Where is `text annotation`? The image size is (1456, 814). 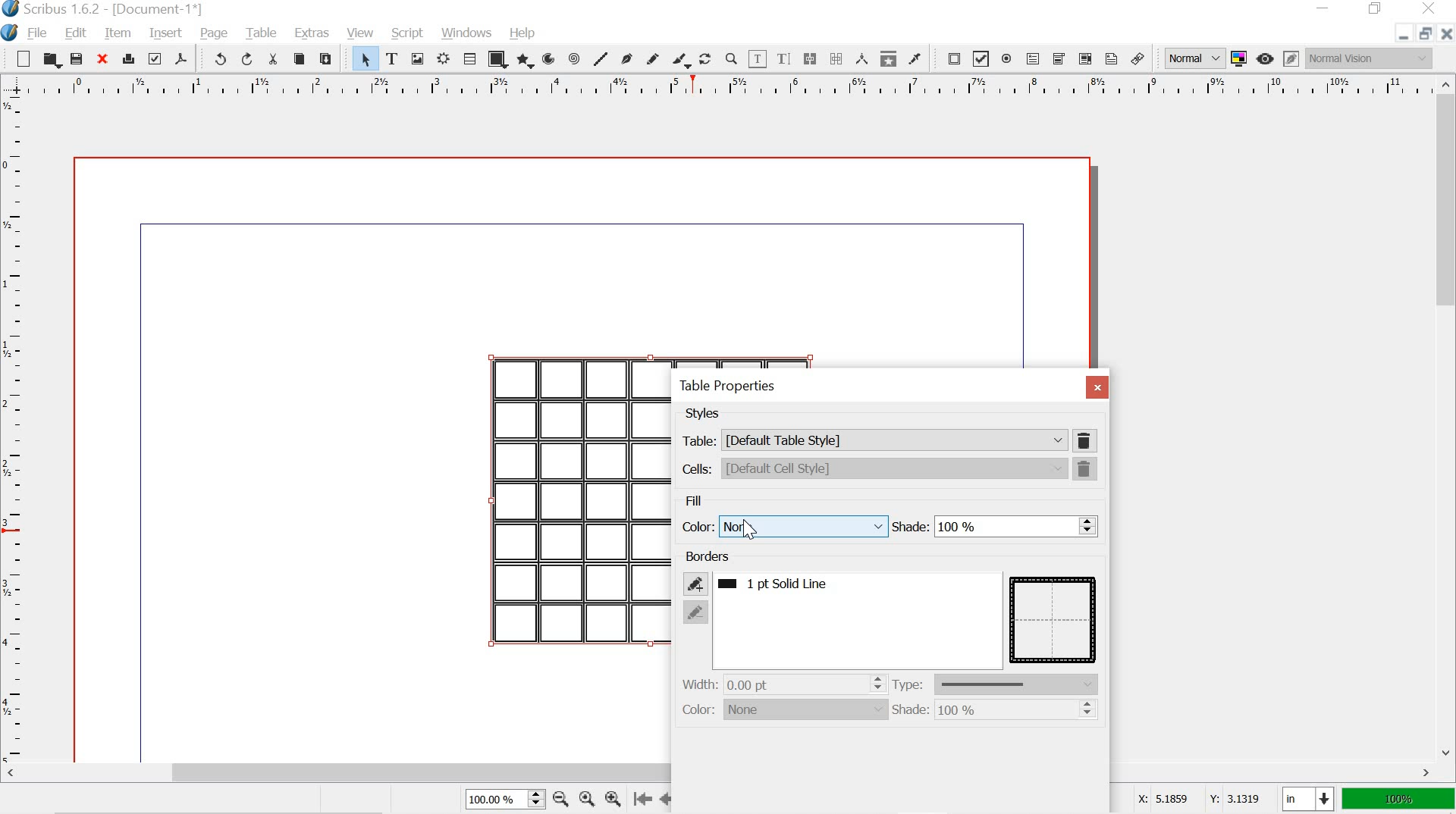
text annotation is located at coordinates (1112, 58).